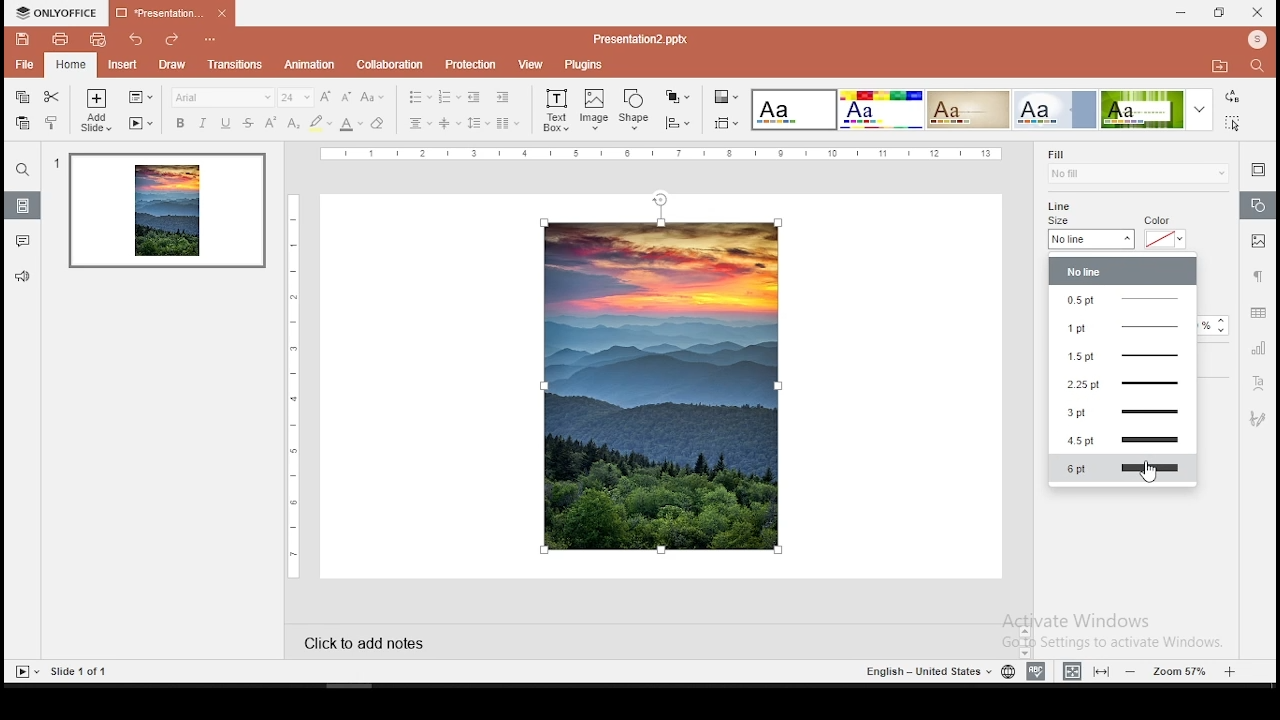 The height and width of the screenshot is (720, 1280). I want to click on fit to width, so click(1070, 670).